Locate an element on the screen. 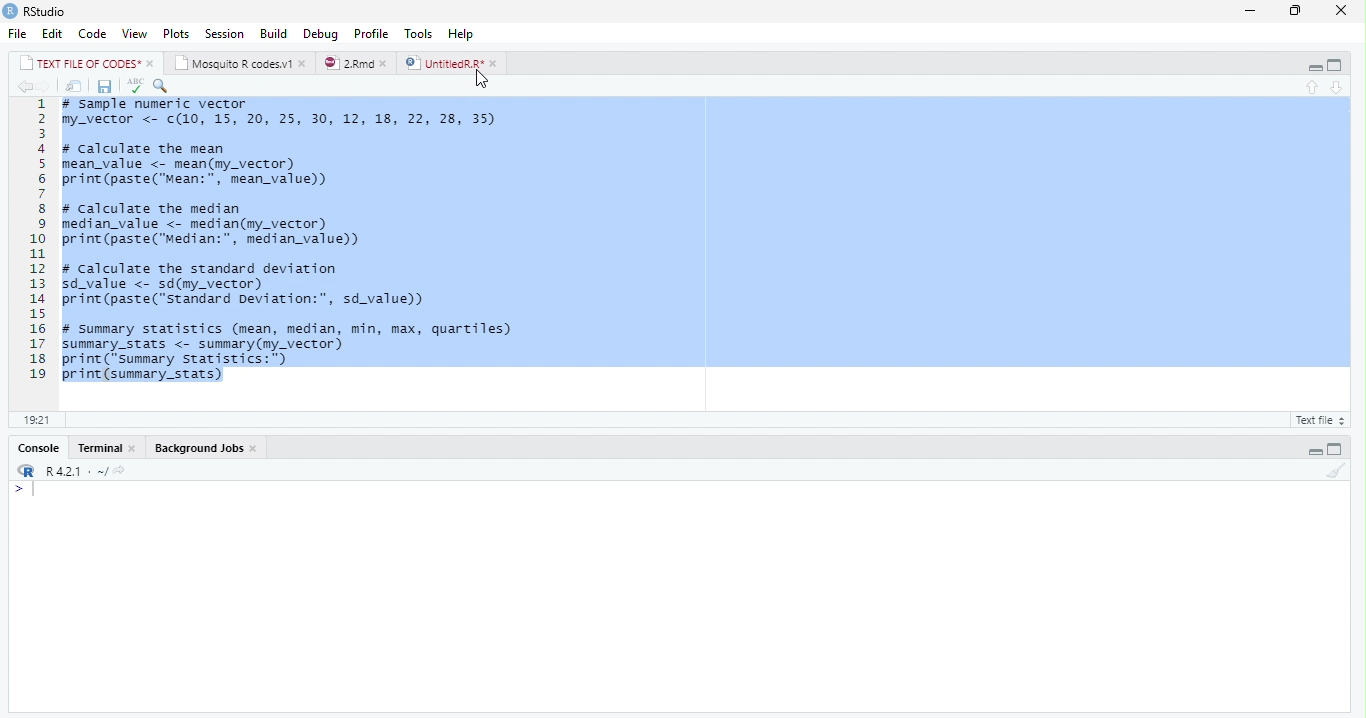 The image size is (1366, 718). file is located at coordinates (18, 33).